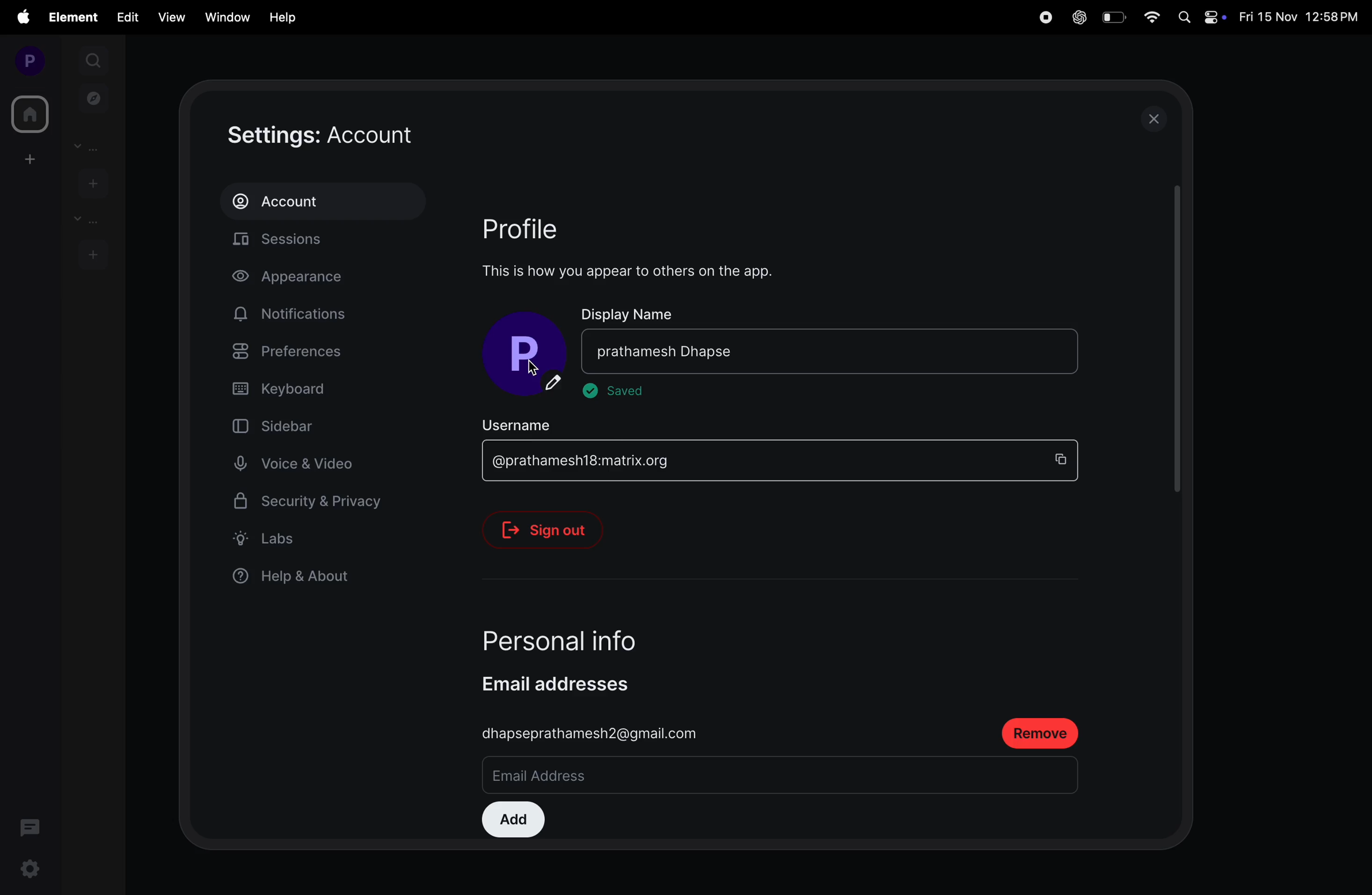 The width and height of the screenshot is (1372, 895). I want to click on security and privacy, so click(309, 505).